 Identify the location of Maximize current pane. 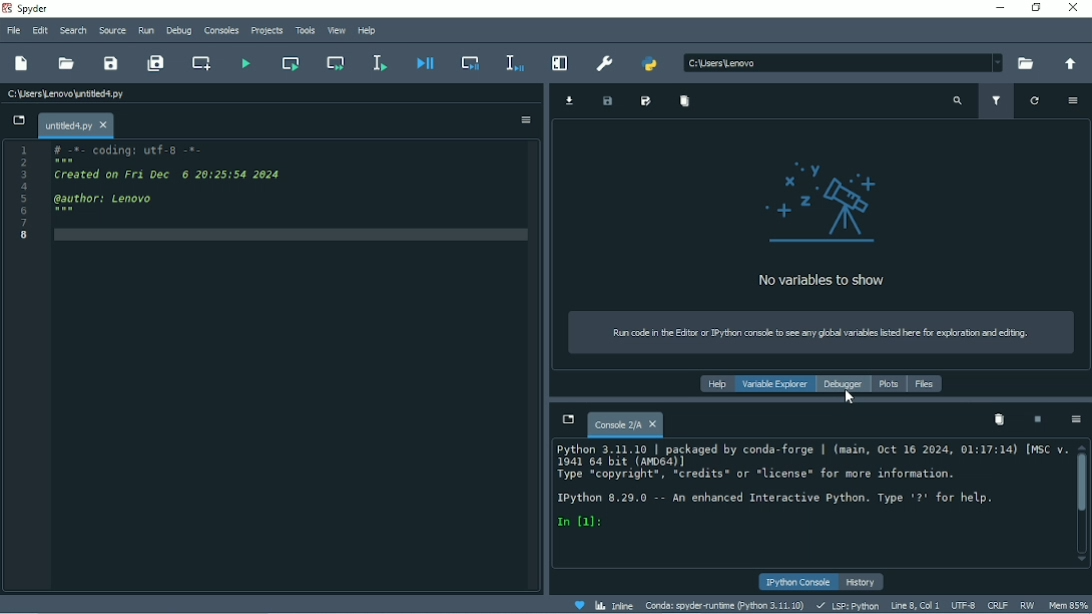
(558, 63).